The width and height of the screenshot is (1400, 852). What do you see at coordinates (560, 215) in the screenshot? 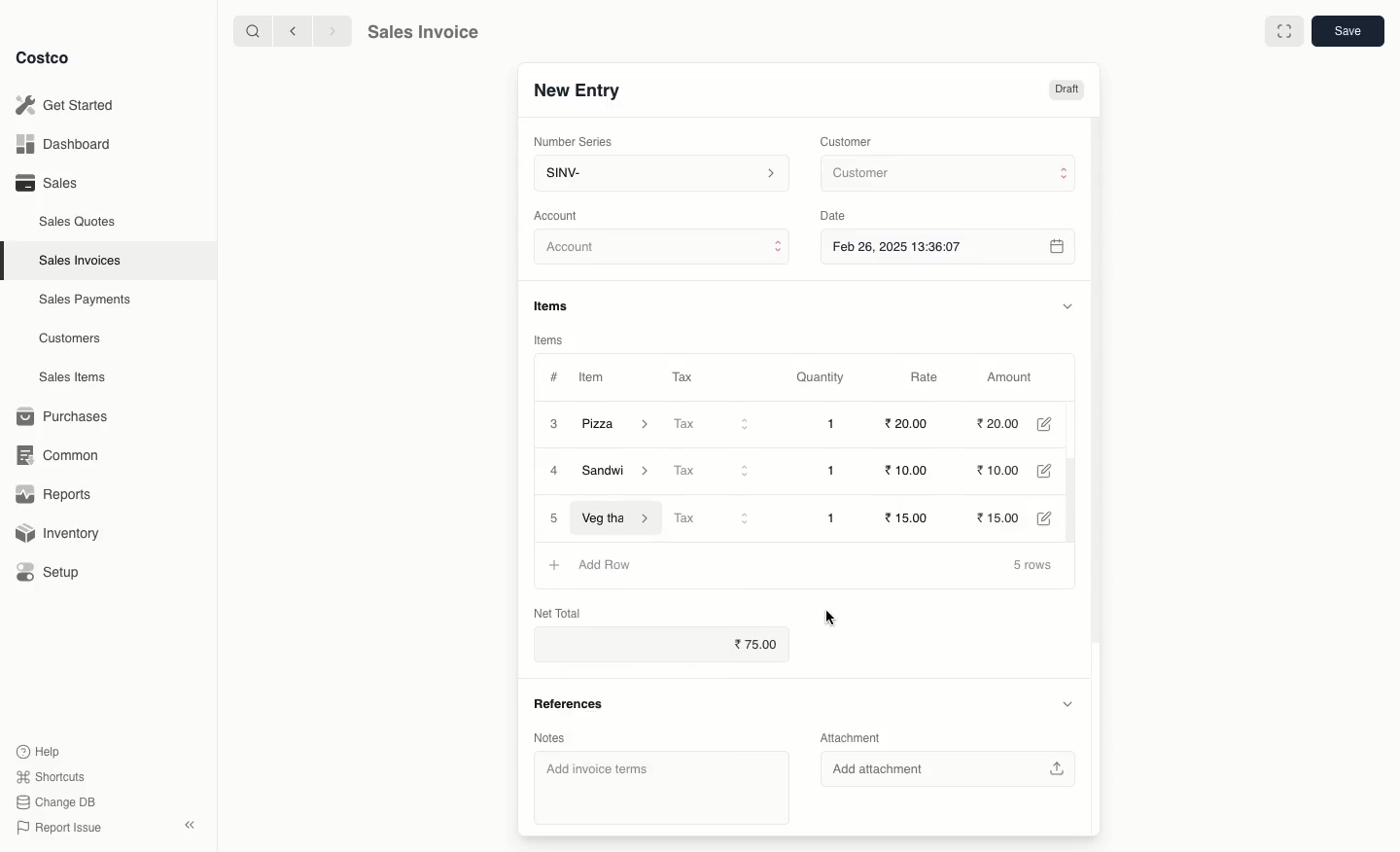
I see `‘Account` at bounding box center [560, 215].